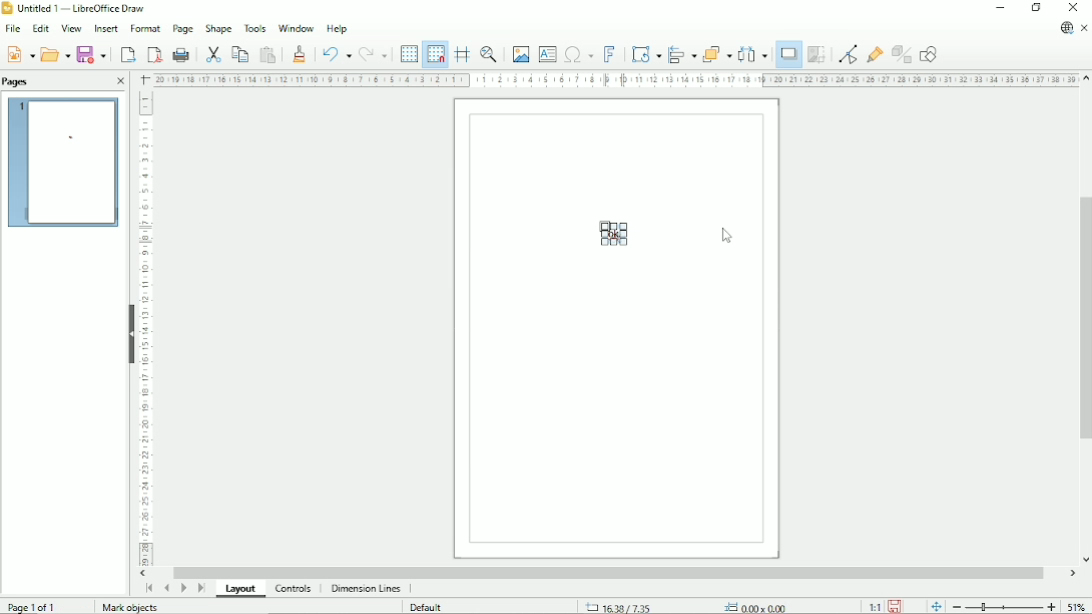  I want to click on Help, so click(336, 28).